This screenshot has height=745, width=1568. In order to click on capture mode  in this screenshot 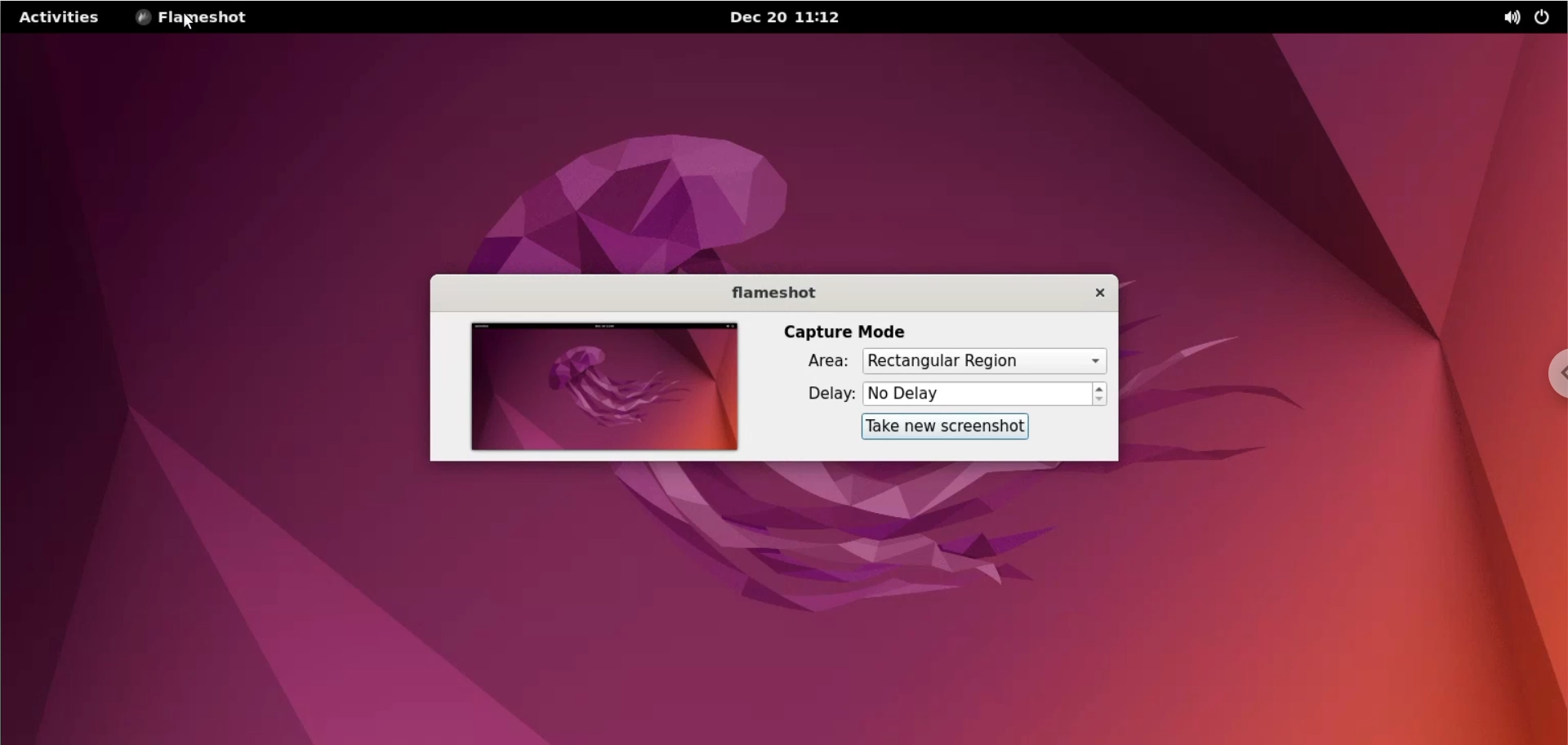, I will do `click(850, 332)`.